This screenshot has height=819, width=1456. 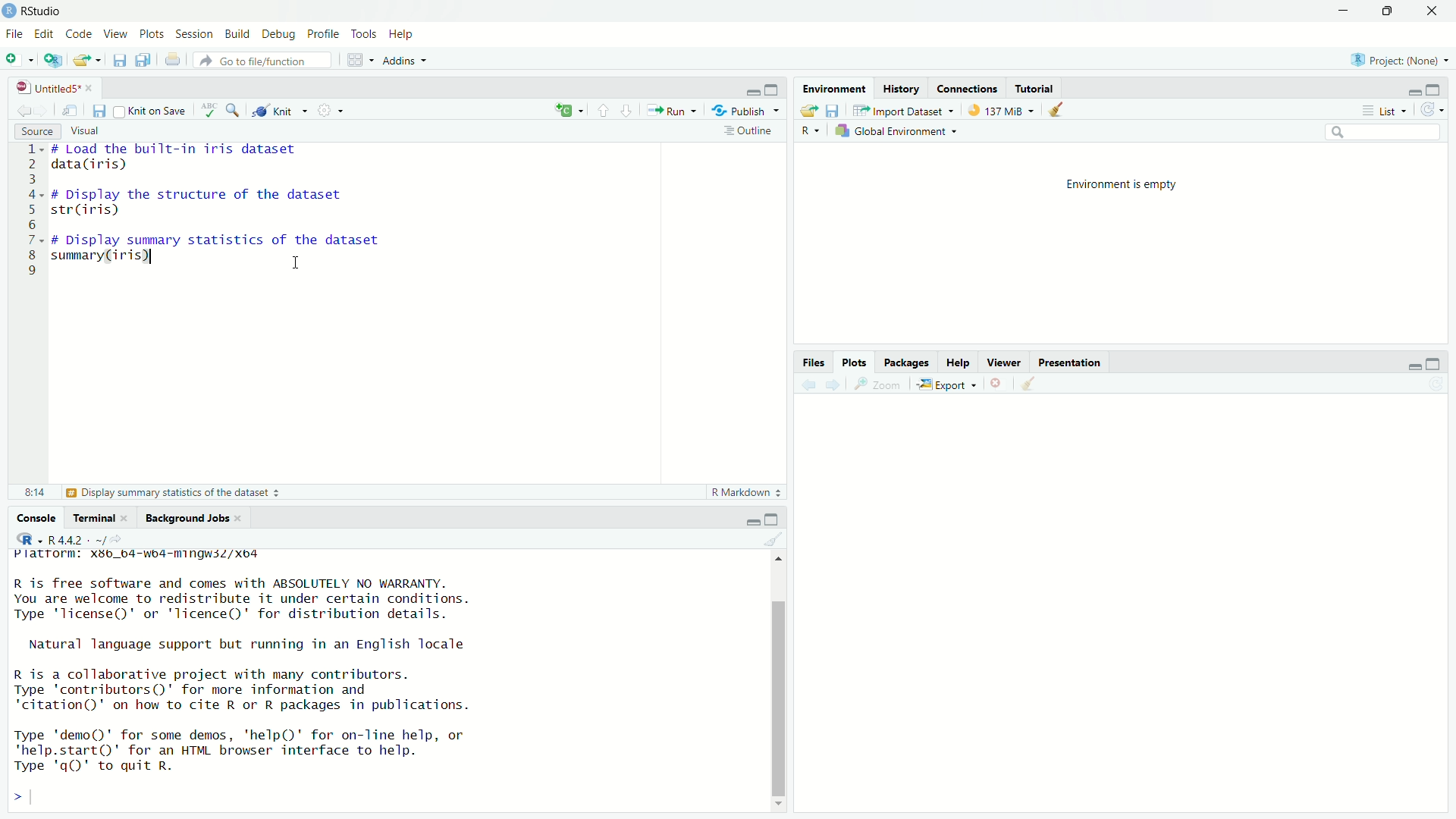 I want to click on Go to file/function, so click(x=261, y=61).